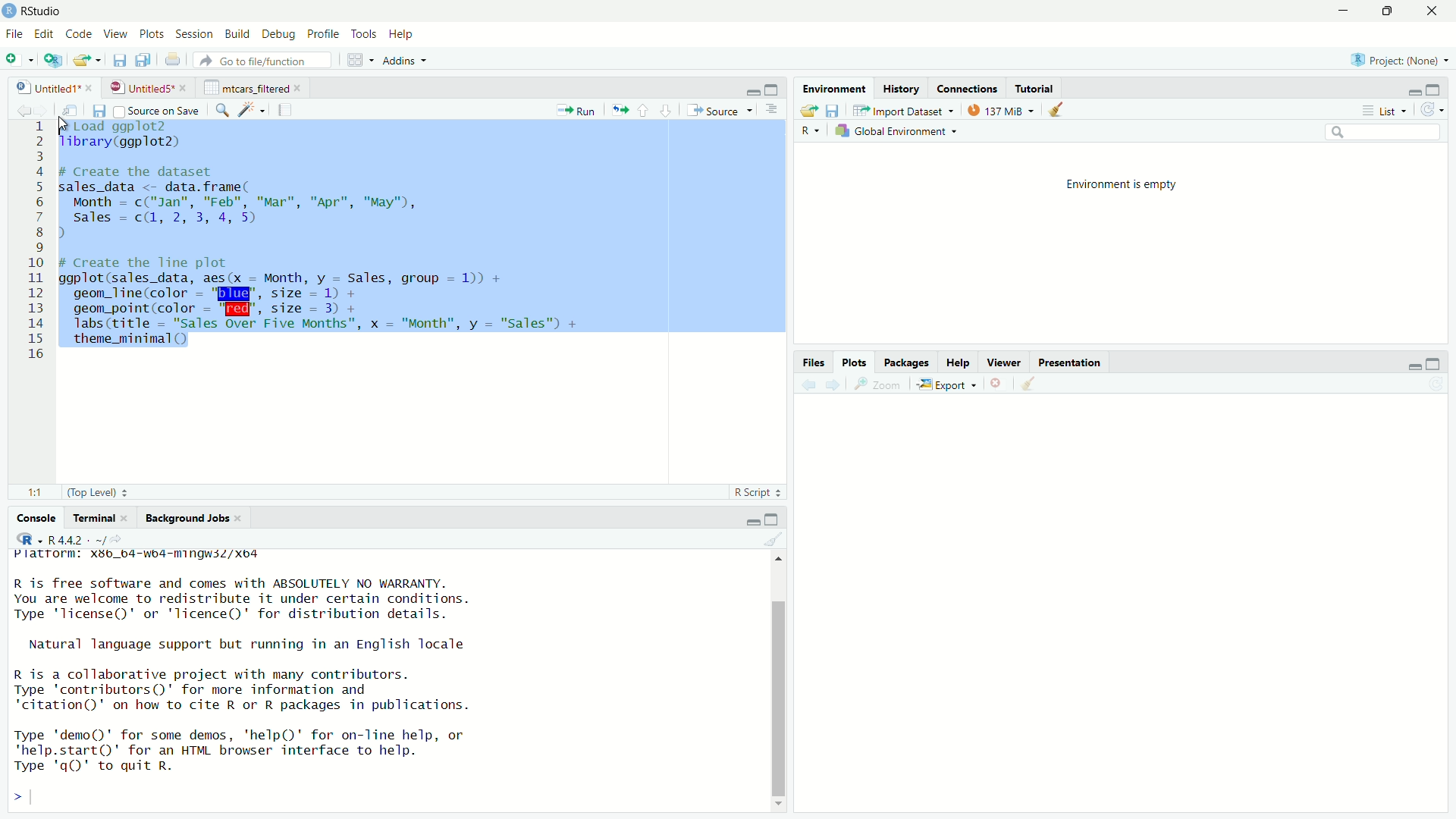  Describe the element at coordinates (1122, 185) in the screenshot. I see `environment is empty` at that location.